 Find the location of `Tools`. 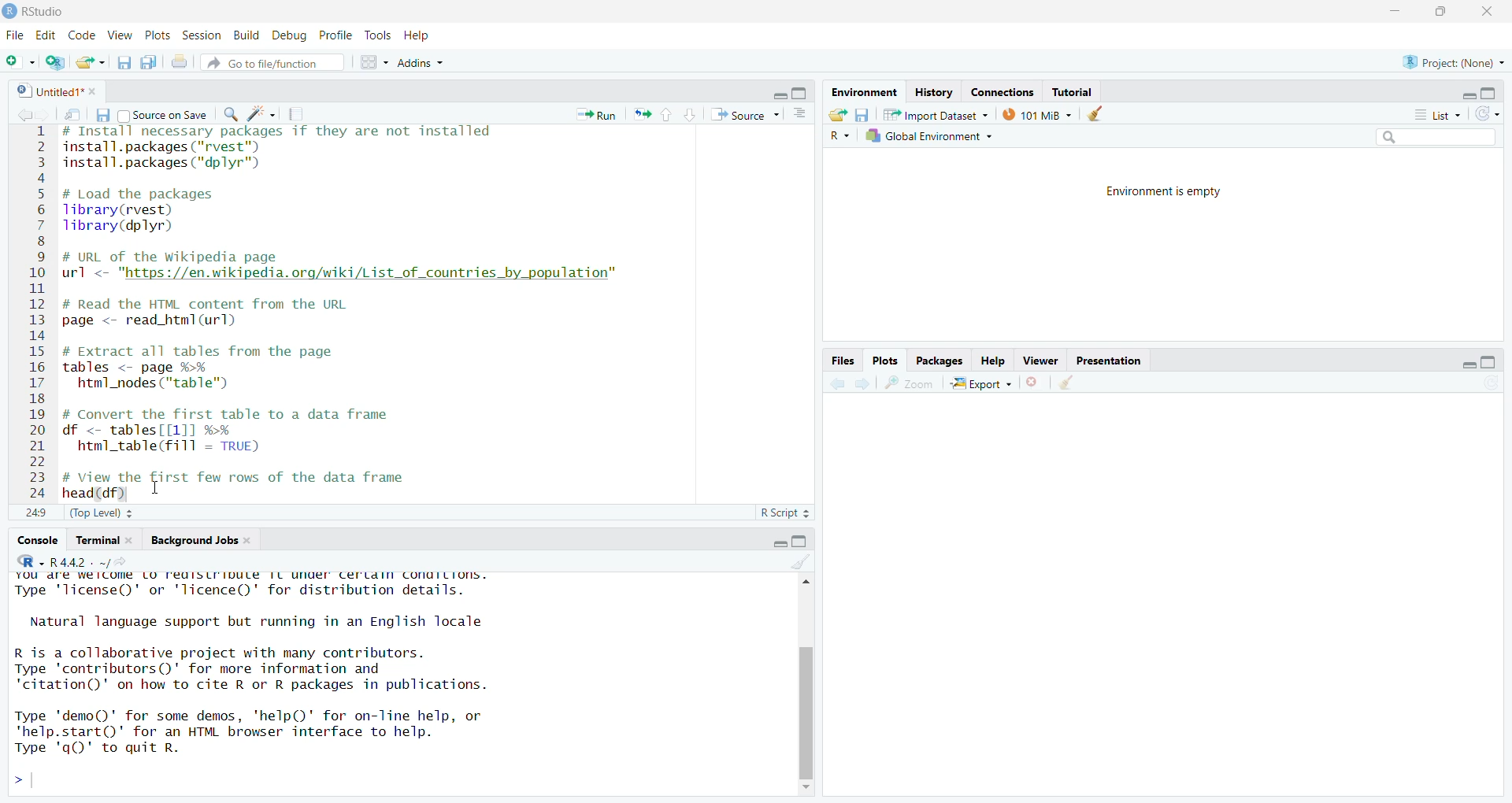

Tools is located at coordinates (379, 35).